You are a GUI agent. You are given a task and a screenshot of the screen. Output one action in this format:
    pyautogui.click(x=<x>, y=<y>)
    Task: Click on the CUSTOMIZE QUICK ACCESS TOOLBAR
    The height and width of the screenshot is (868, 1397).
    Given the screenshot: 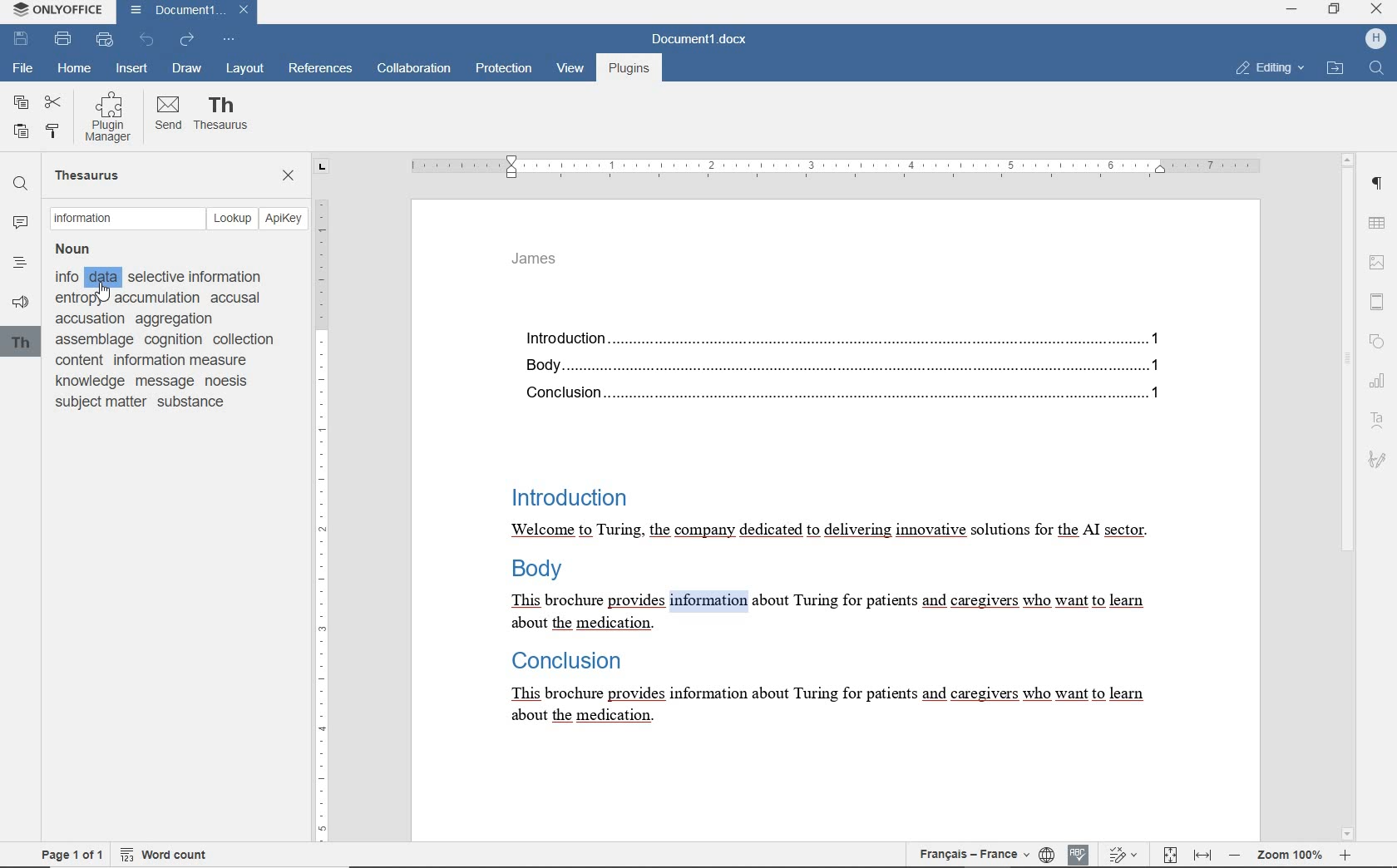 What is the action you would take?
    pyautogui.click(x=230, y=40)
    